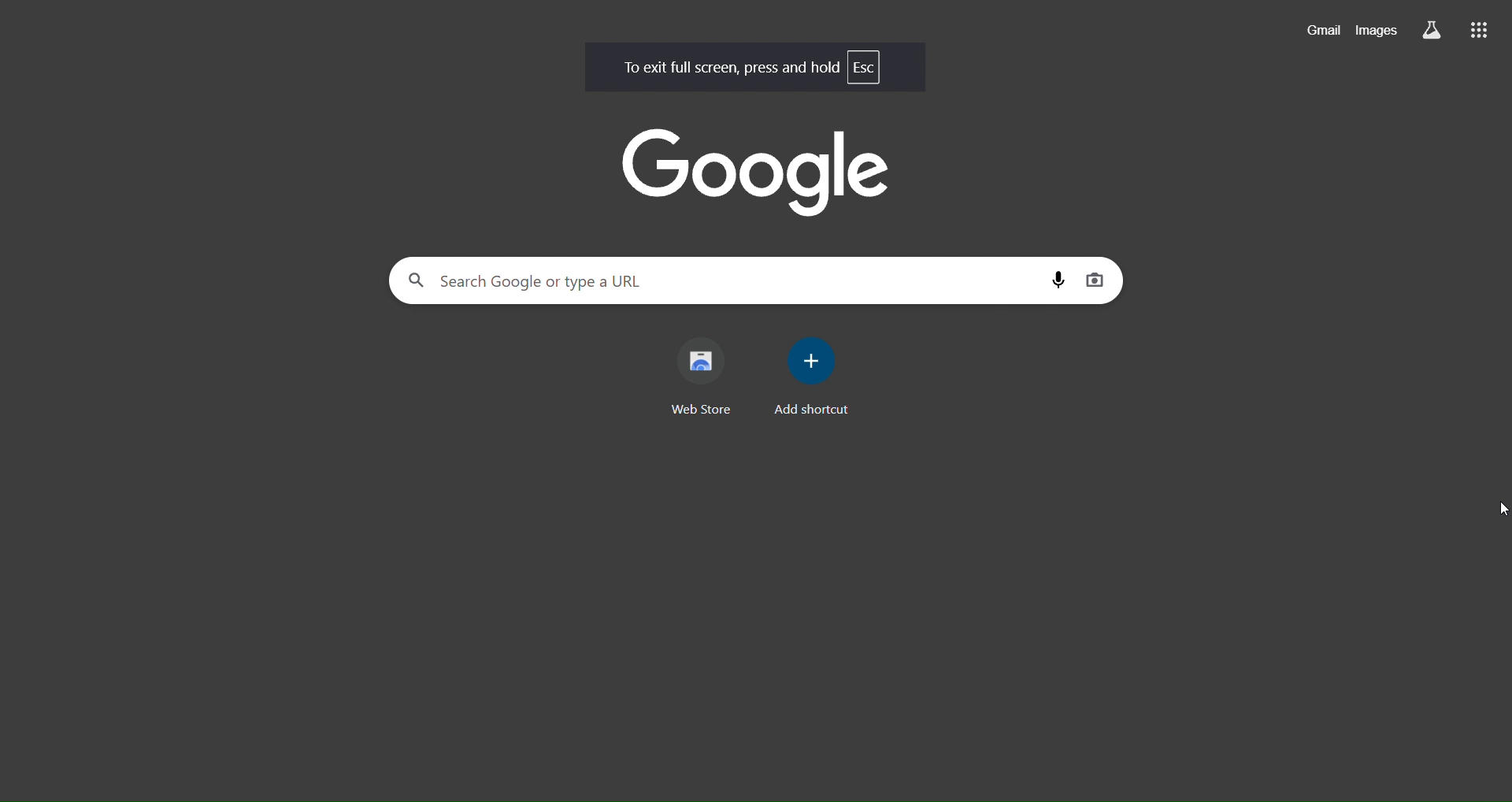  I want to click on search labs, so click(1432, 29).